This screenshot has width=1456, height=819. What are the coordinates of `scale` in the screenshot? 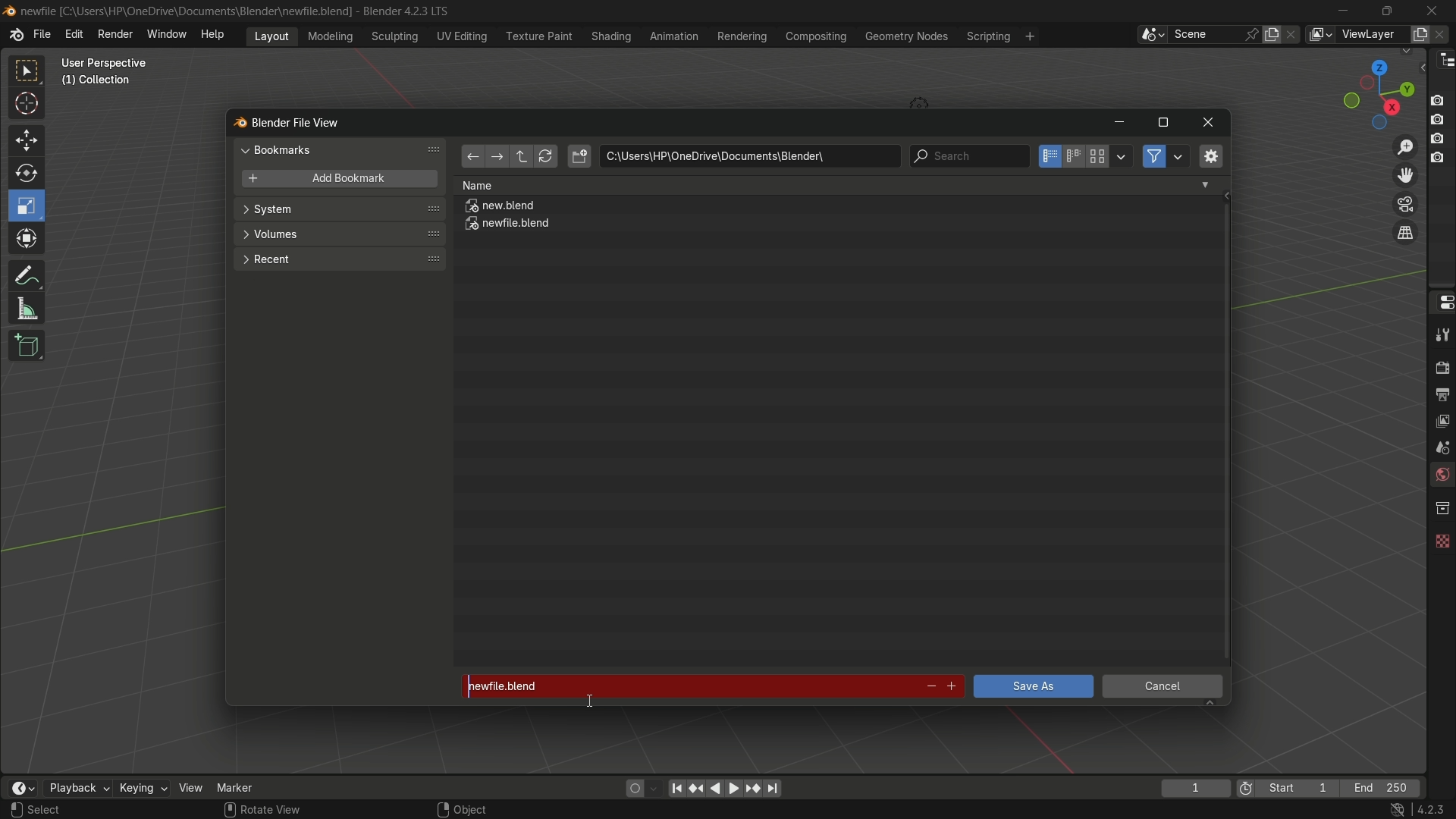 It's located at (29, 206).